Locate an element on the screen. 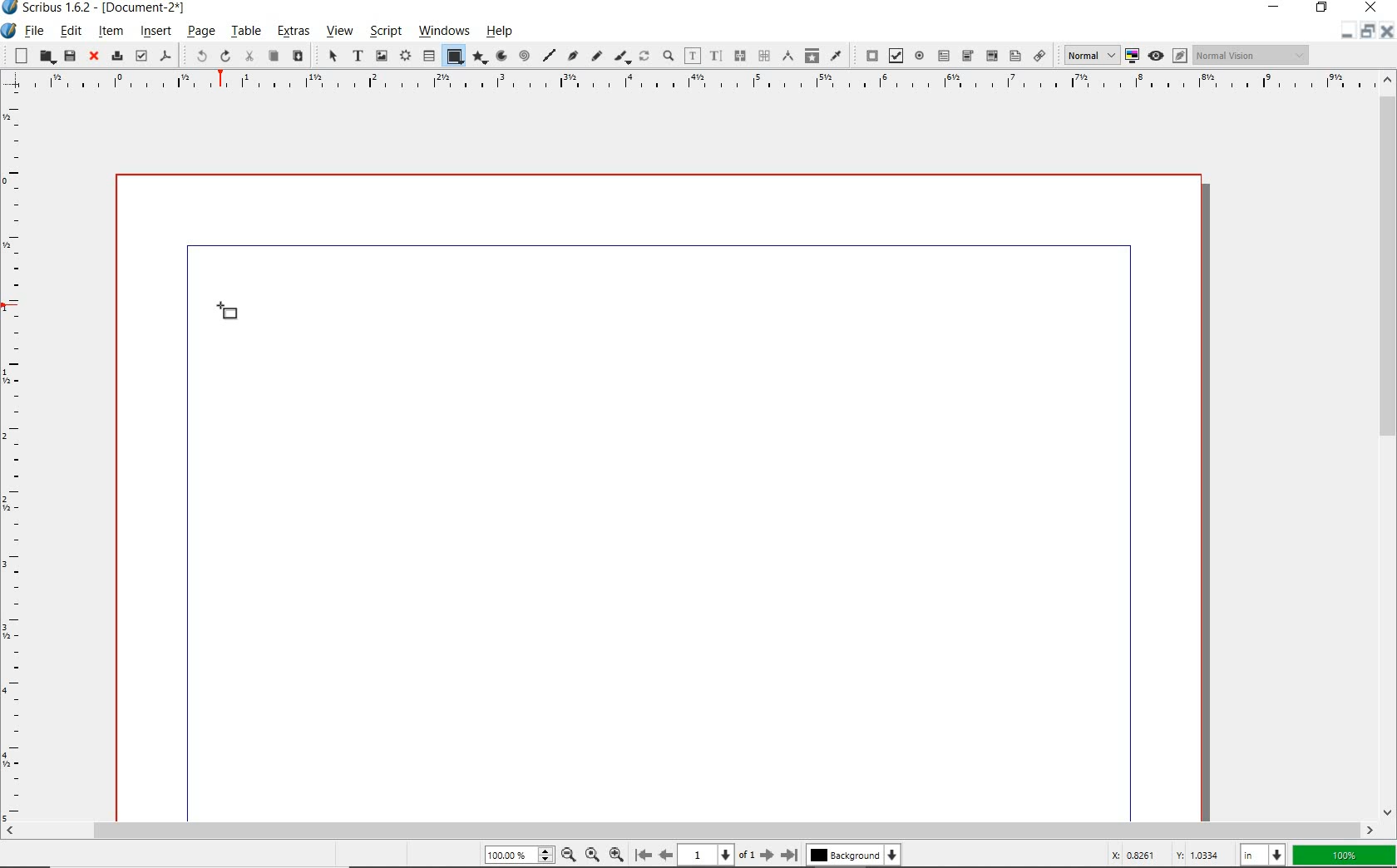 The height and width of the screenshot is (868, 1397). shape tool is located at coordinates (230, 317).